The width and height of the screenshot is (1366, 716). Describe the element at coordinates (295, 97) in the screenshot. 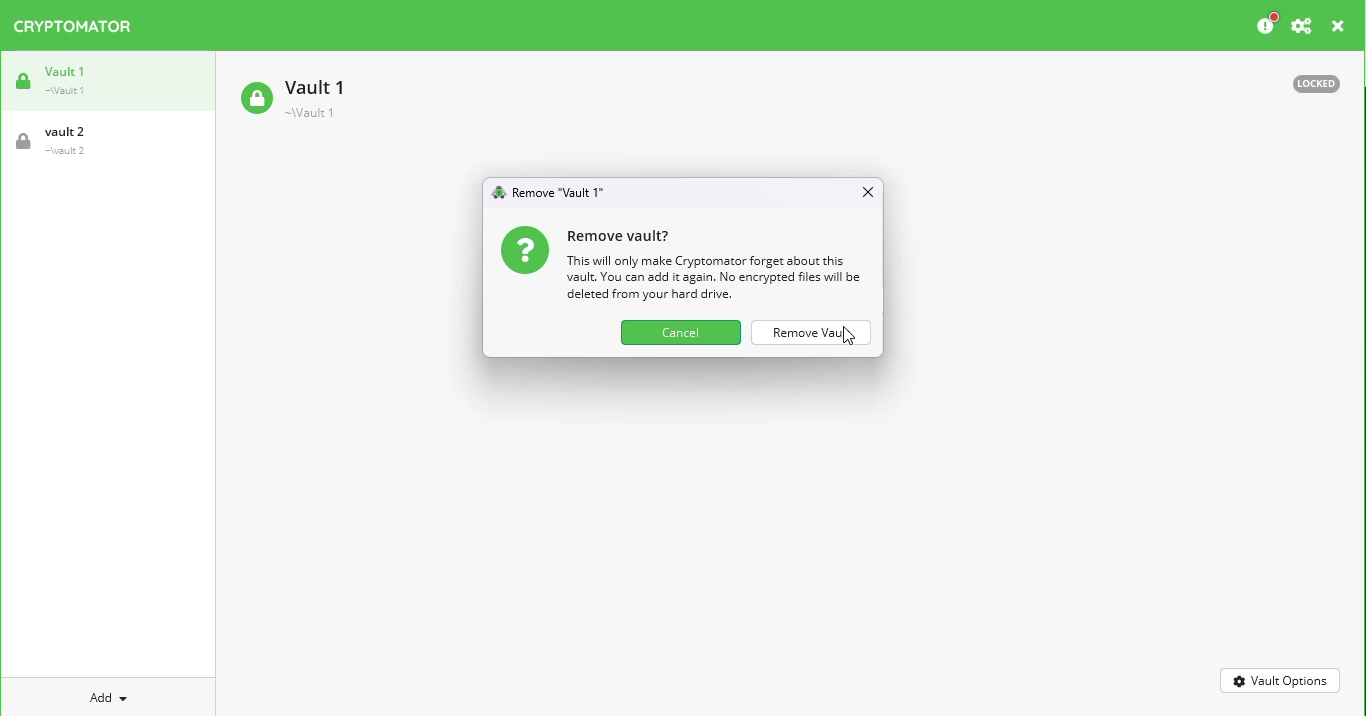

I see `vault 1` at that location.